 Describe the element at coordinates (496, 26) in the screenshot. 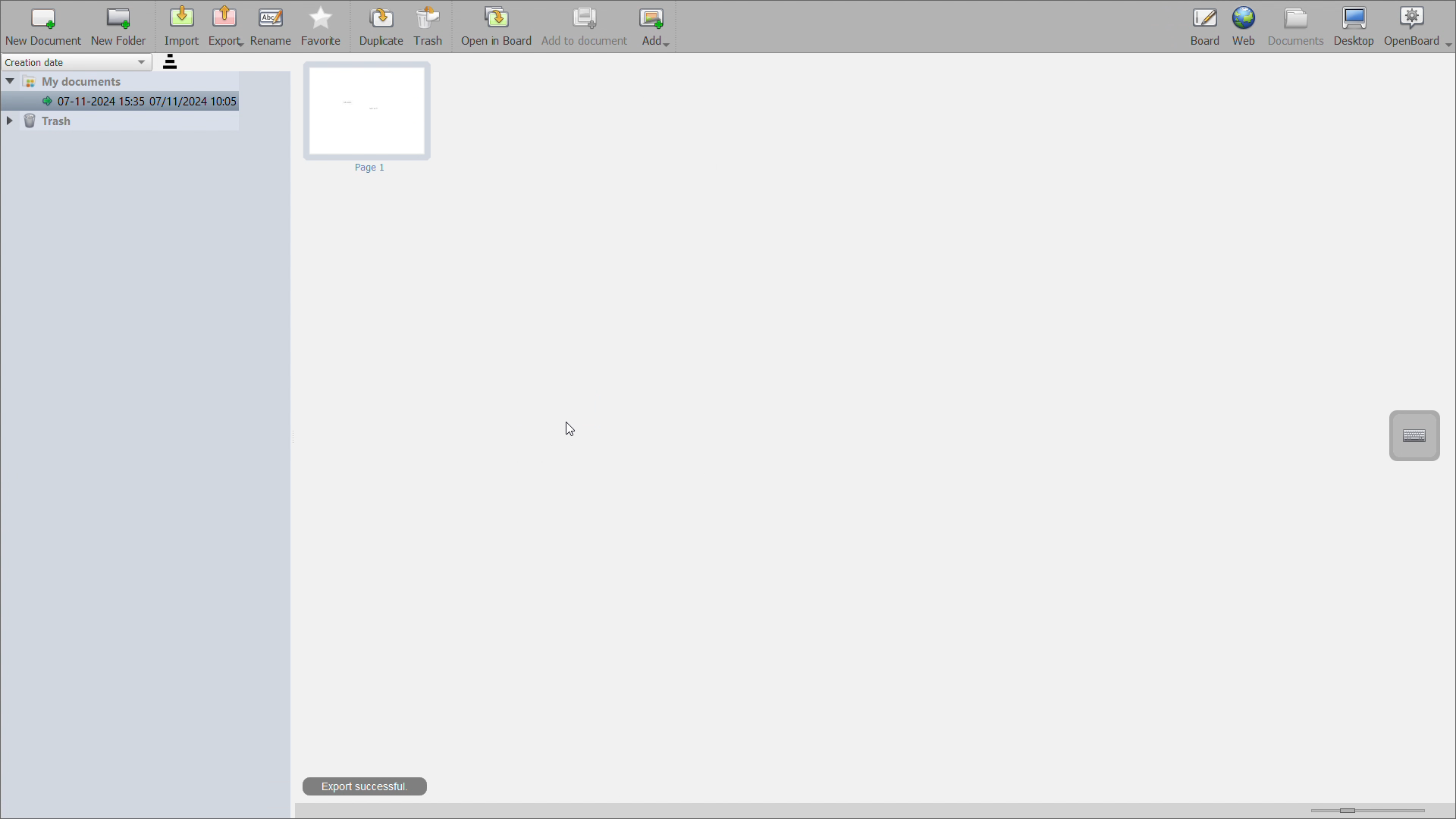

I see `open in board` at that location.